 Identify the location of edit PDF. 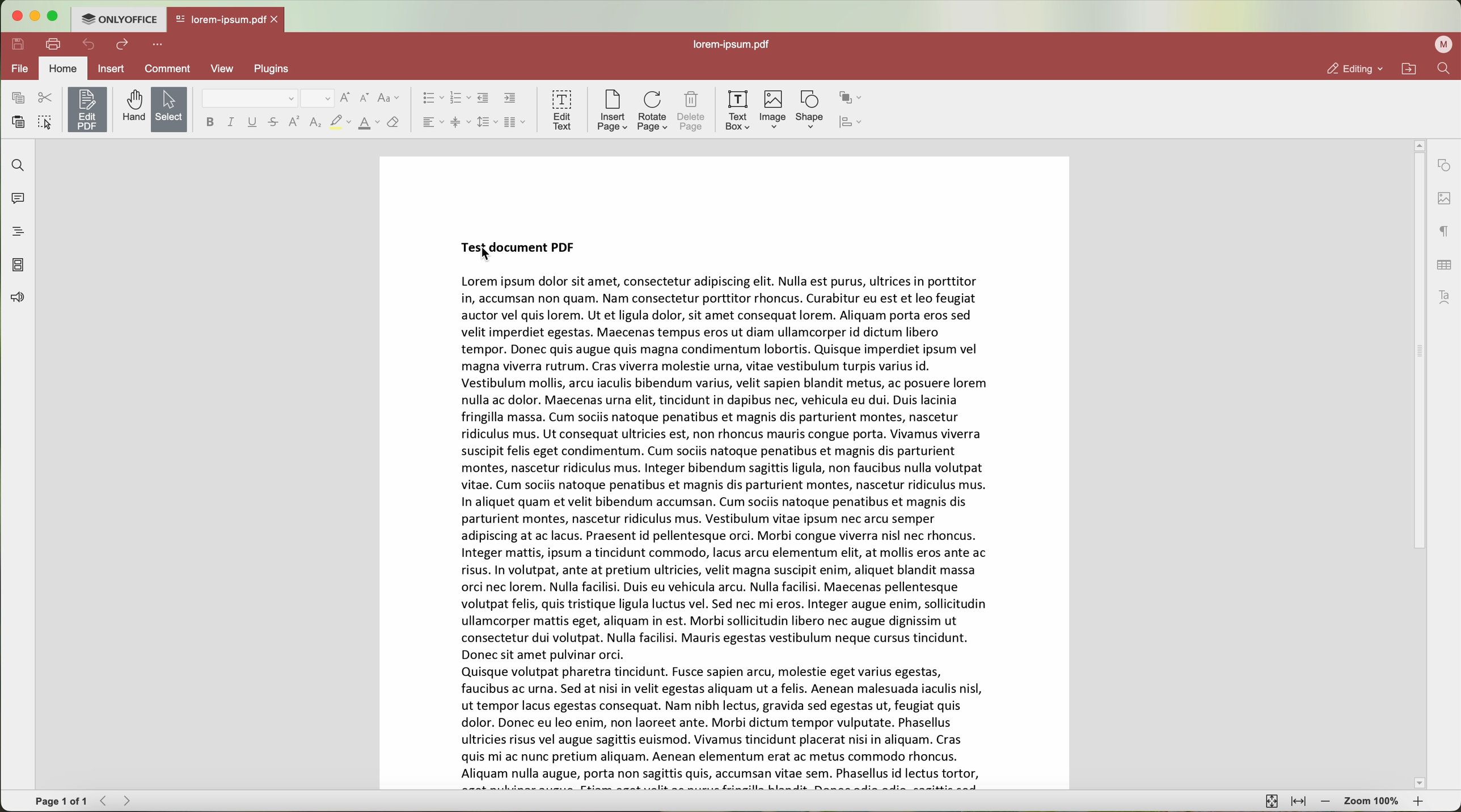
(87, 109).